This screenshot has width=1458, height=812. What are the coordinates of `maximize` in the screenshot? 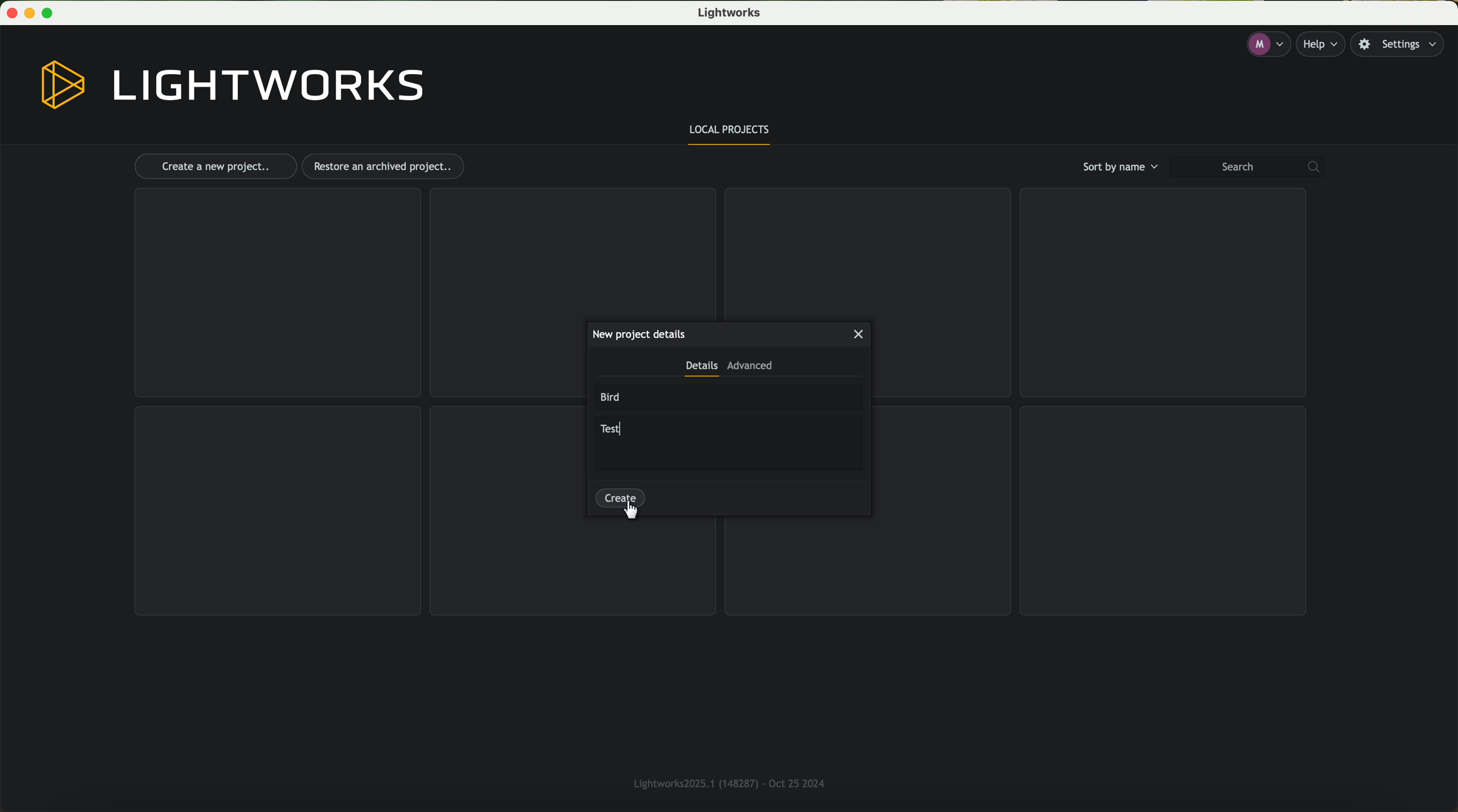 It's located at (52, 13).